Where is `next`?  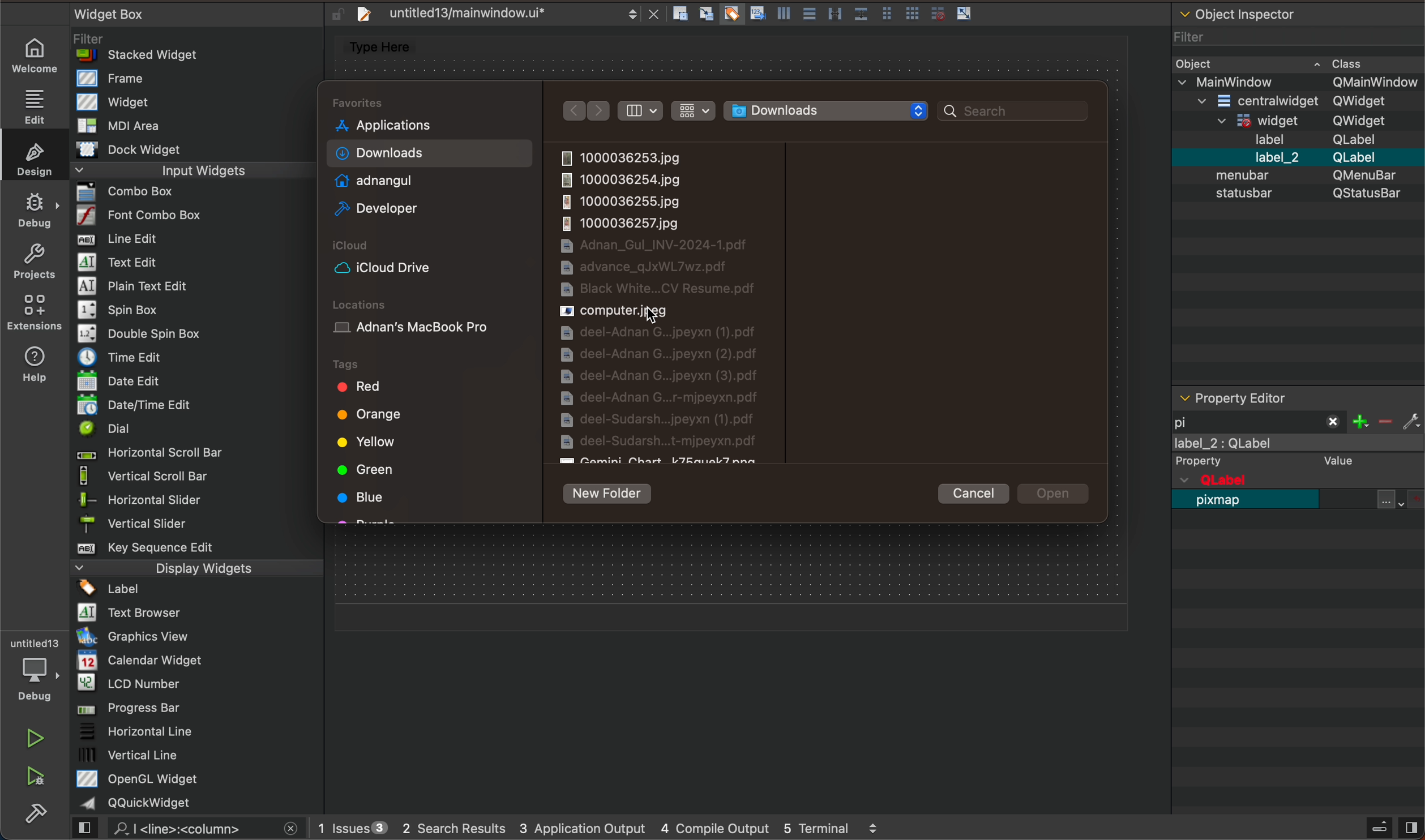
next is located at coordinates (598, 111).